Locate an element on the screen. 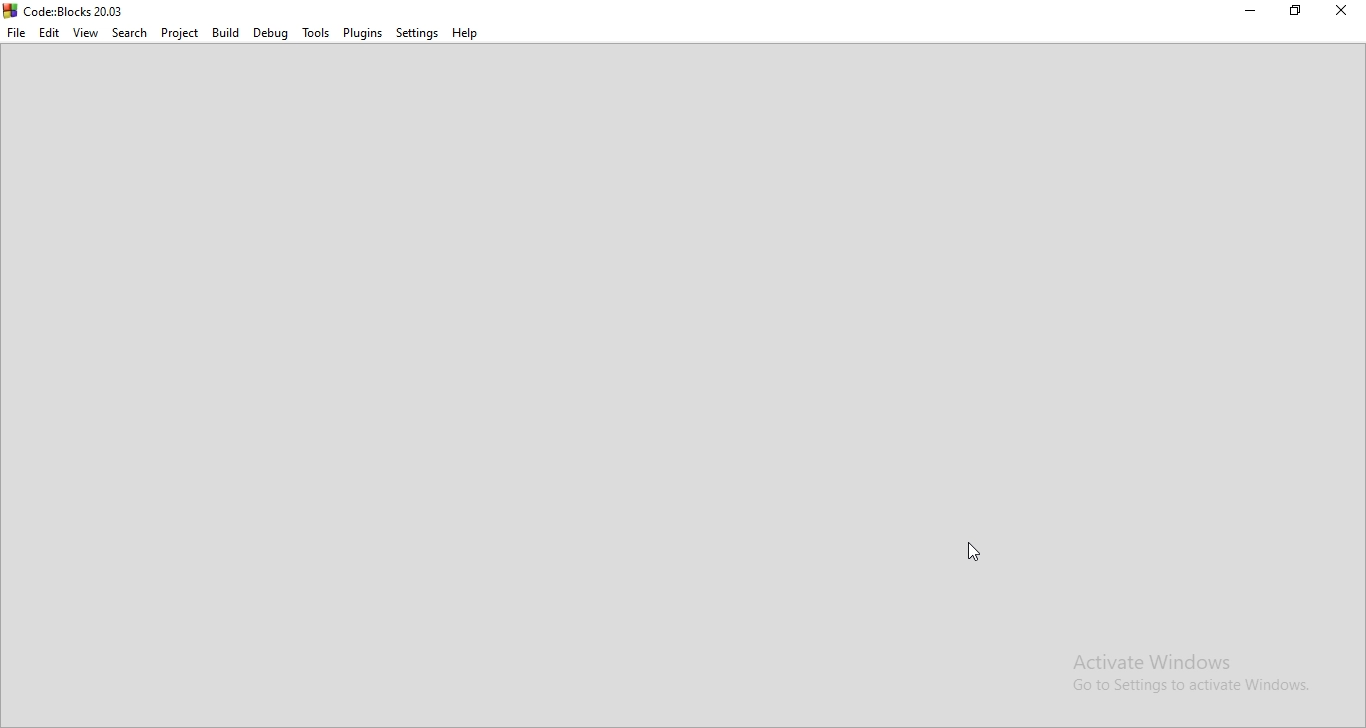  Tools  is located at coordinates (318, 32).